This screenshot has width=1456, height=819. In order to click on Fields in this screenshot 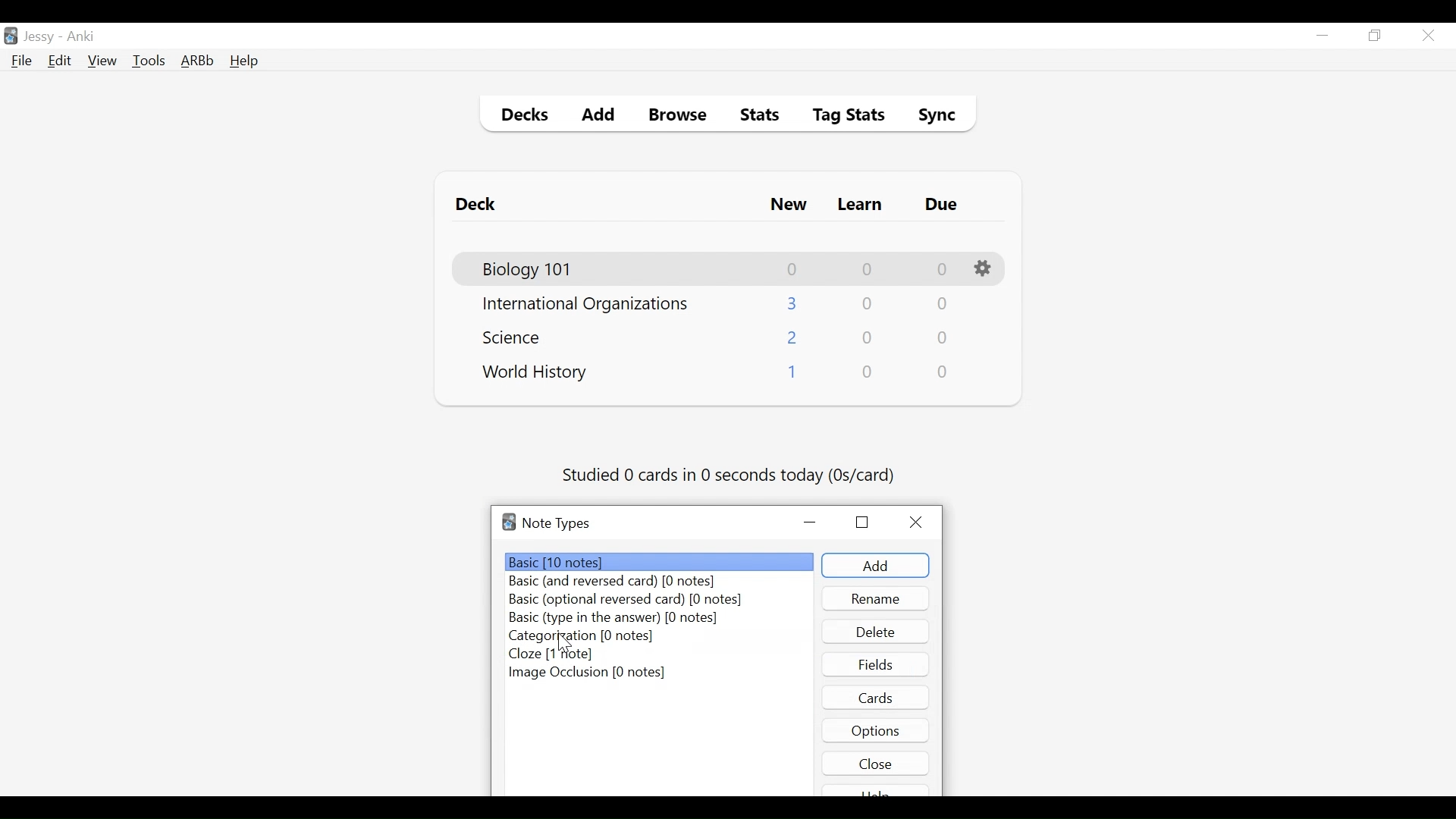, I will do `click(876, 664)`.